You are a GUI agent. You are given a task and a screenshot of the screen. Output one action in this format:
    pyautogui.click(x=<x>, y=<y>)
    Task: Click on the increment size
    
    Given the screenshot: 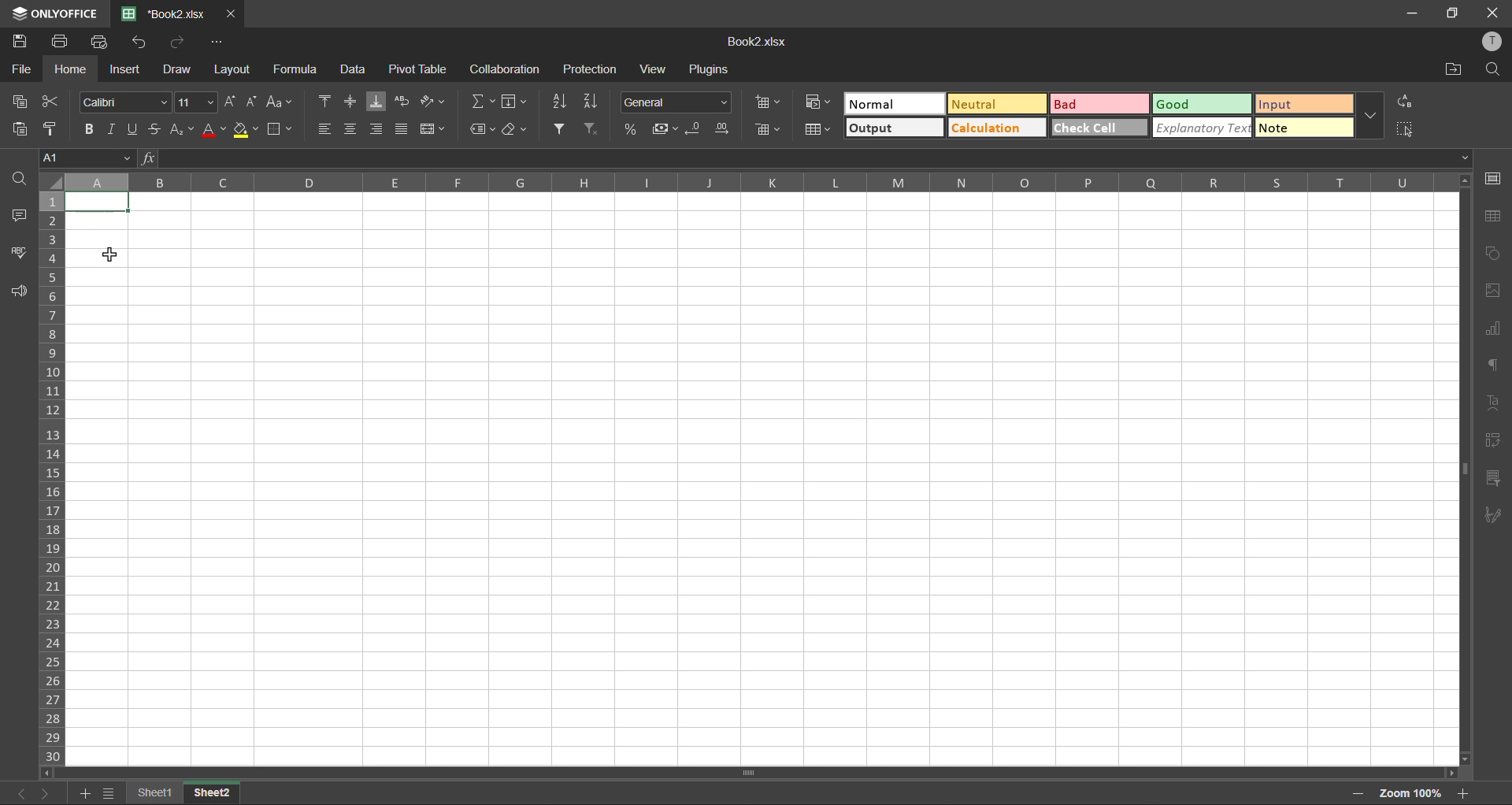 What is the action you would take?
    pyautogui.click(x=234, y=102)
    